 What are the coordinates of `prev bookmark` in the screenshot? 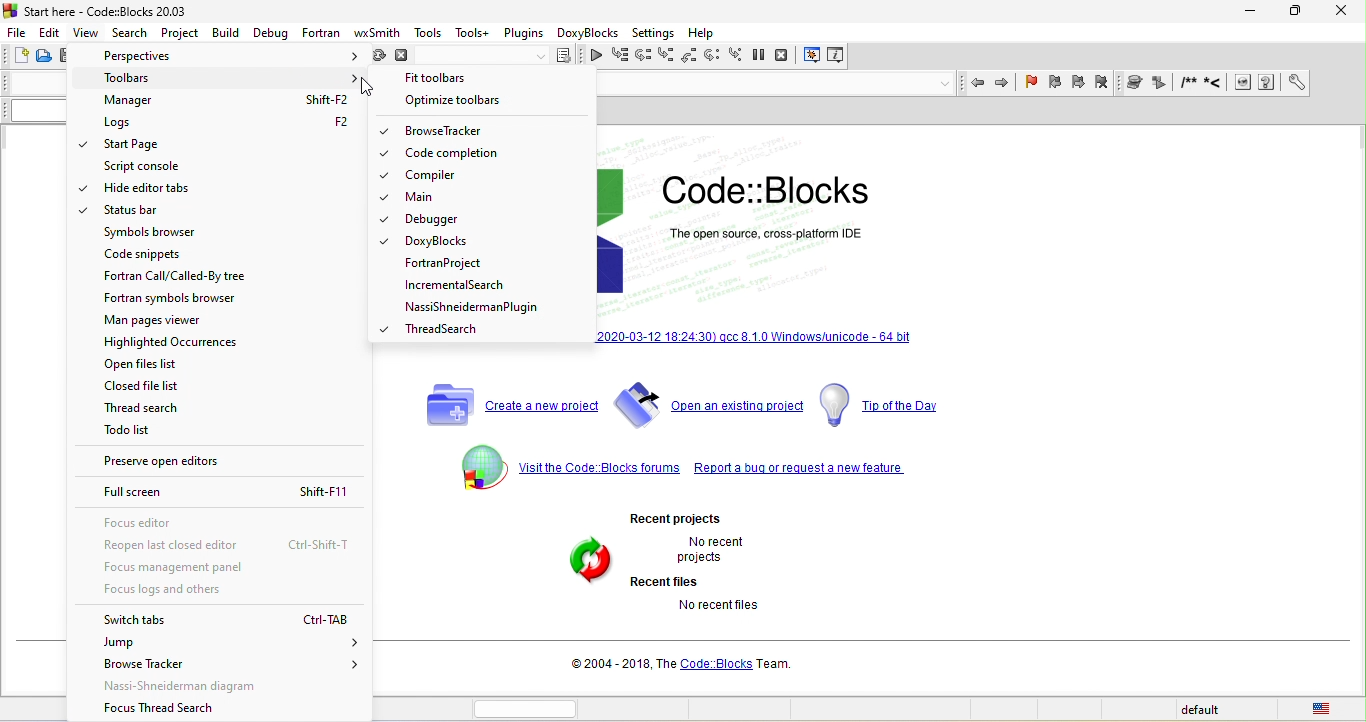 It's located at (1055, 85).